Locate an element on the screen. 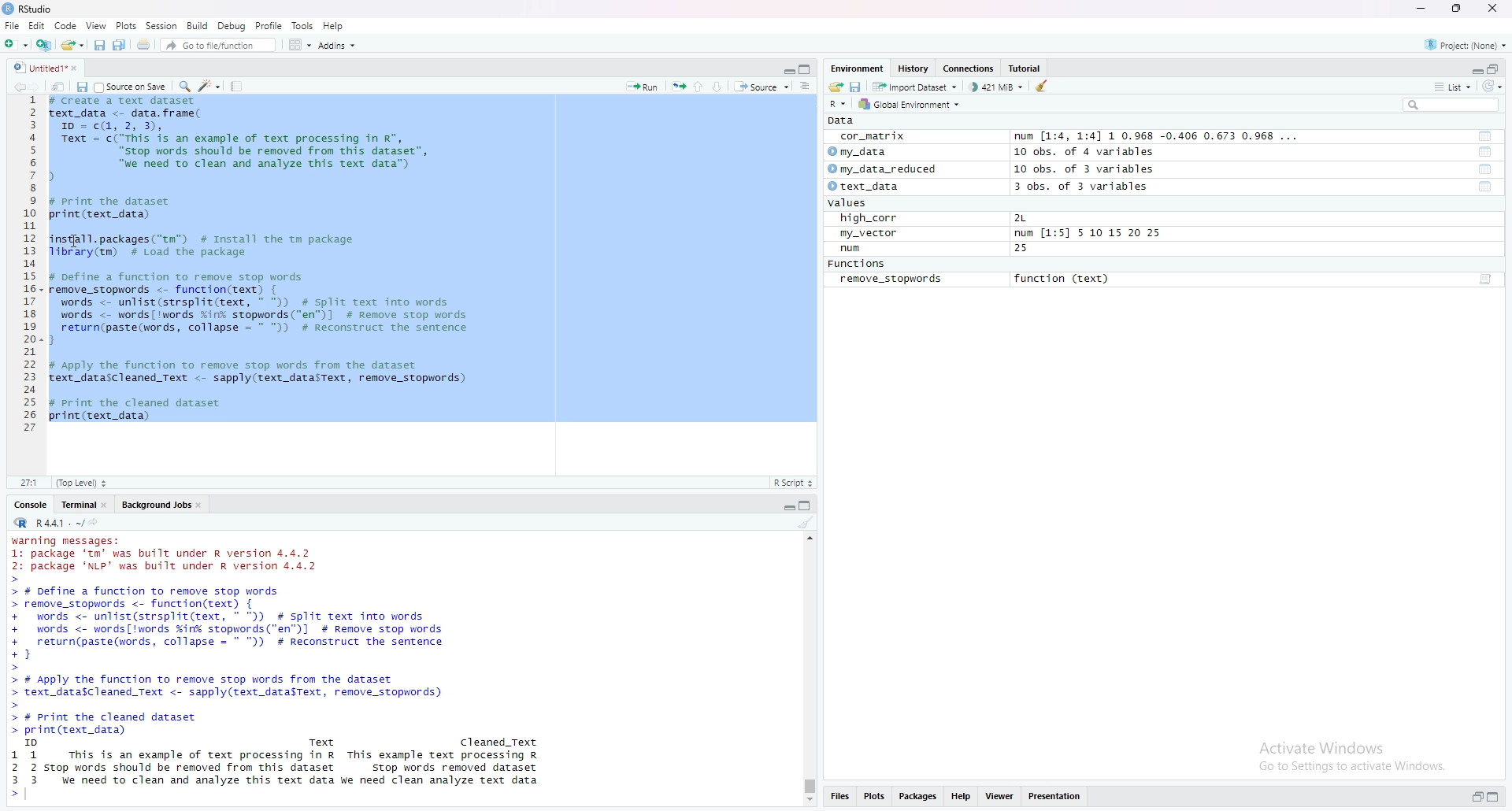  presentation is located at coordinates (1058, 796).